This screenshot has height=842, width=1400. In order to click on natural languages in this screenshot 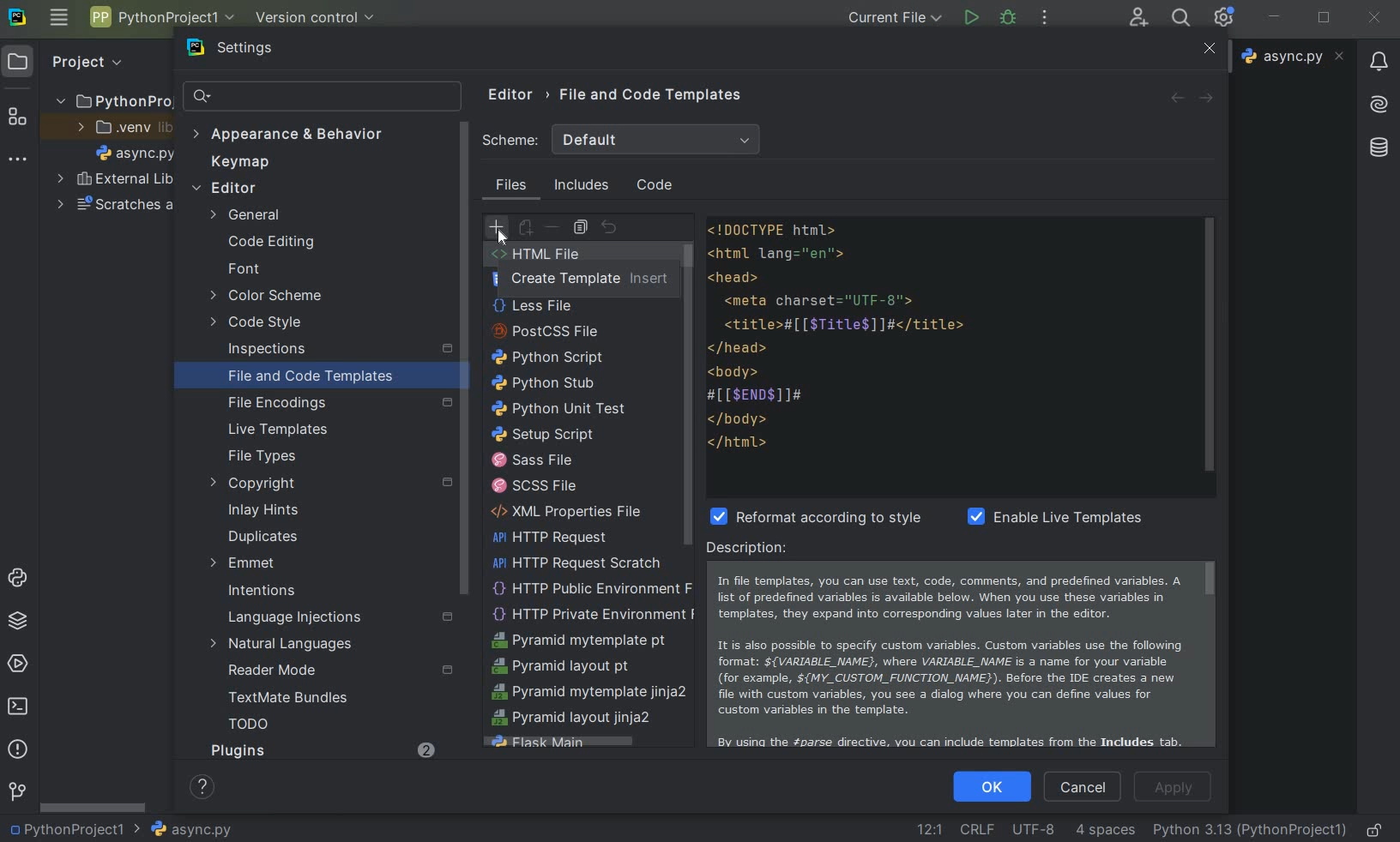, I will do `click(293, 645)`.